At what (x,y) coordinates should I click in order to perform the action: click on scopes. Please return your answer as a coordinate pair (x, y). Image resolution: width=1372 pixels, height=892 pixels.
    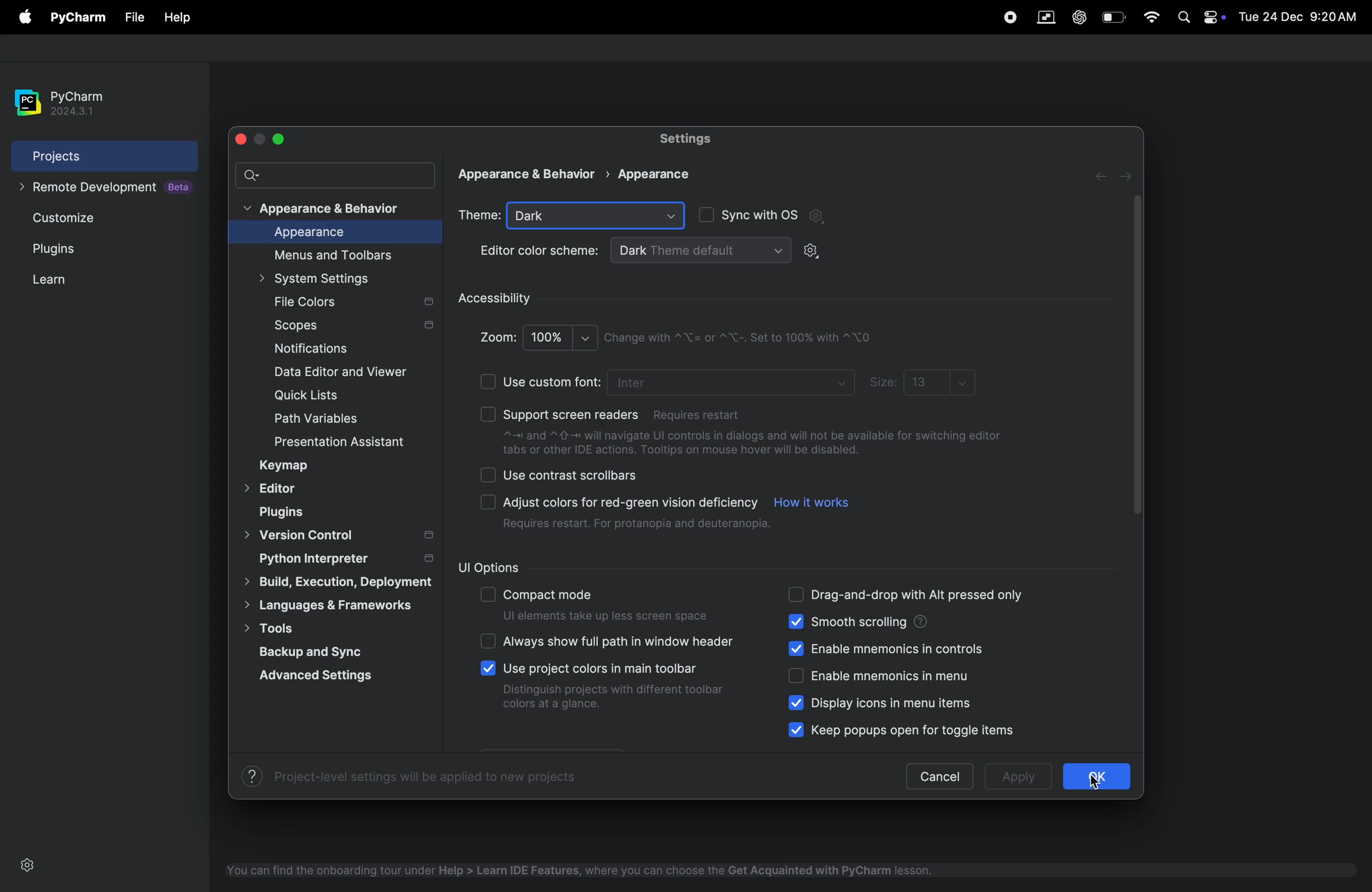
    Looking at the image, I should click on (352, 327).